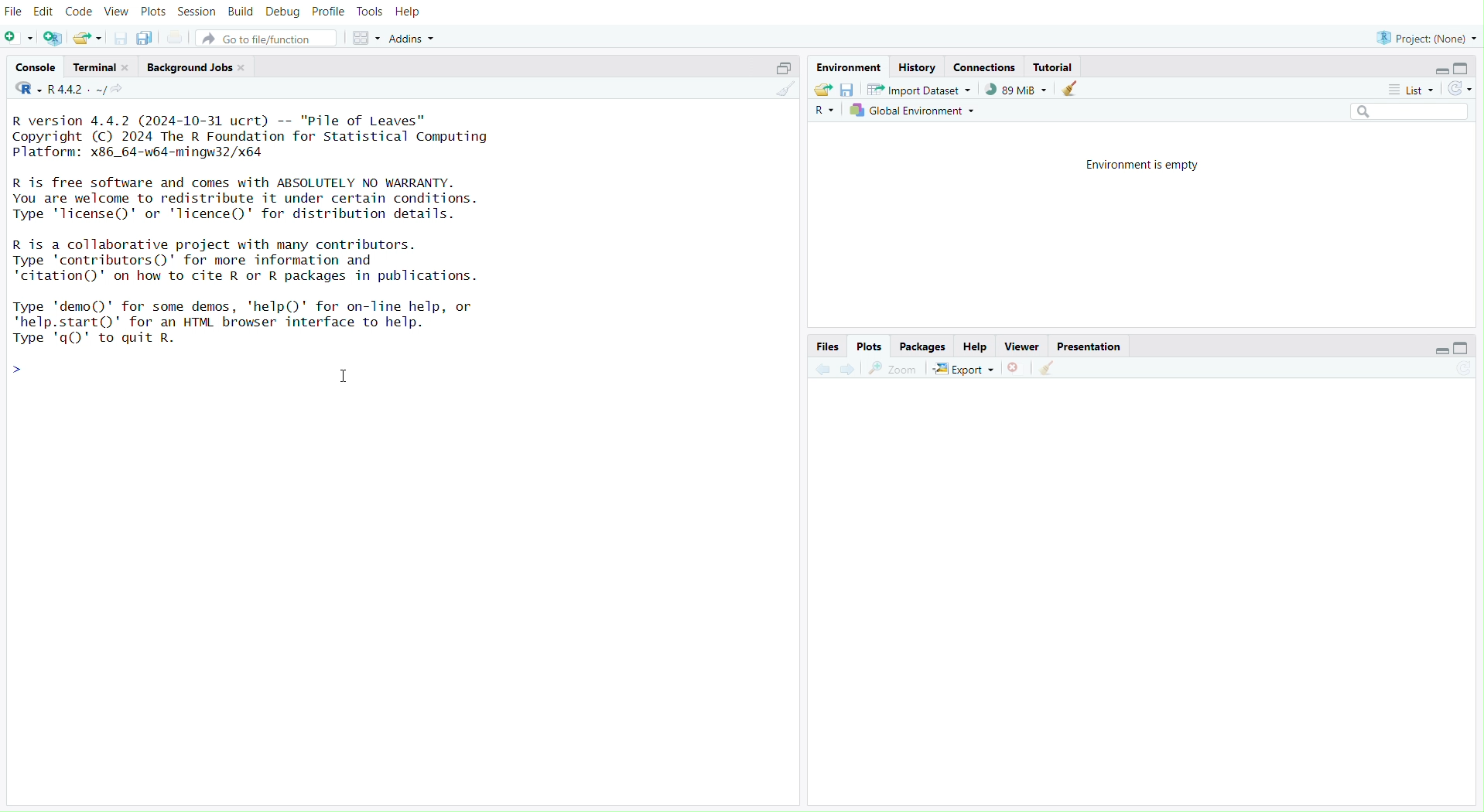 The height and width of the screenshot is (812, 1484). I want to click on Plots, so click(871, 344).